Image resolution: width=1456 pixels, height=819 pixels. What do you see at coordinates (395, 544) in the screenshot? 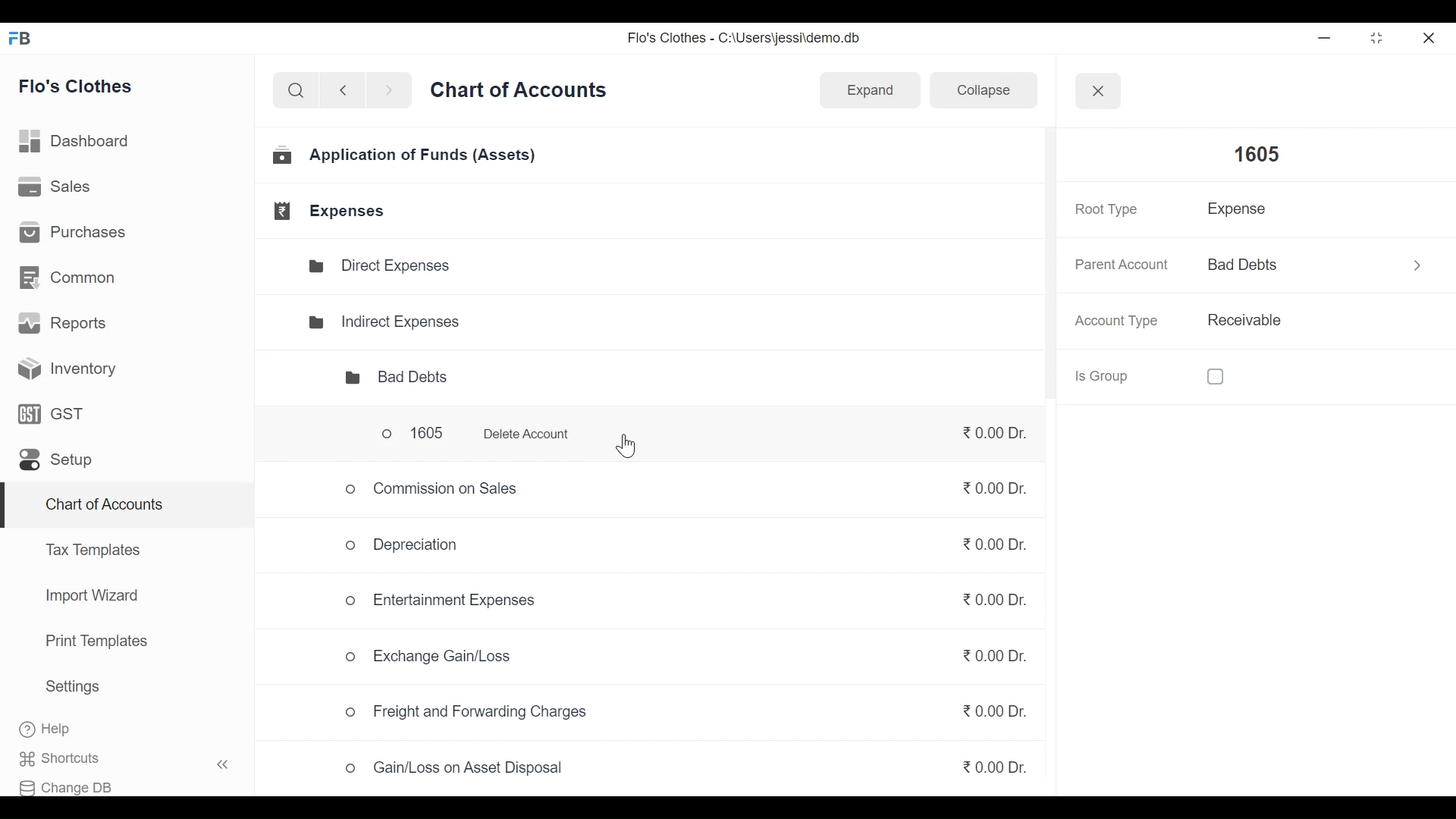
I see `Depreciation` at bounding box center [395, 544].